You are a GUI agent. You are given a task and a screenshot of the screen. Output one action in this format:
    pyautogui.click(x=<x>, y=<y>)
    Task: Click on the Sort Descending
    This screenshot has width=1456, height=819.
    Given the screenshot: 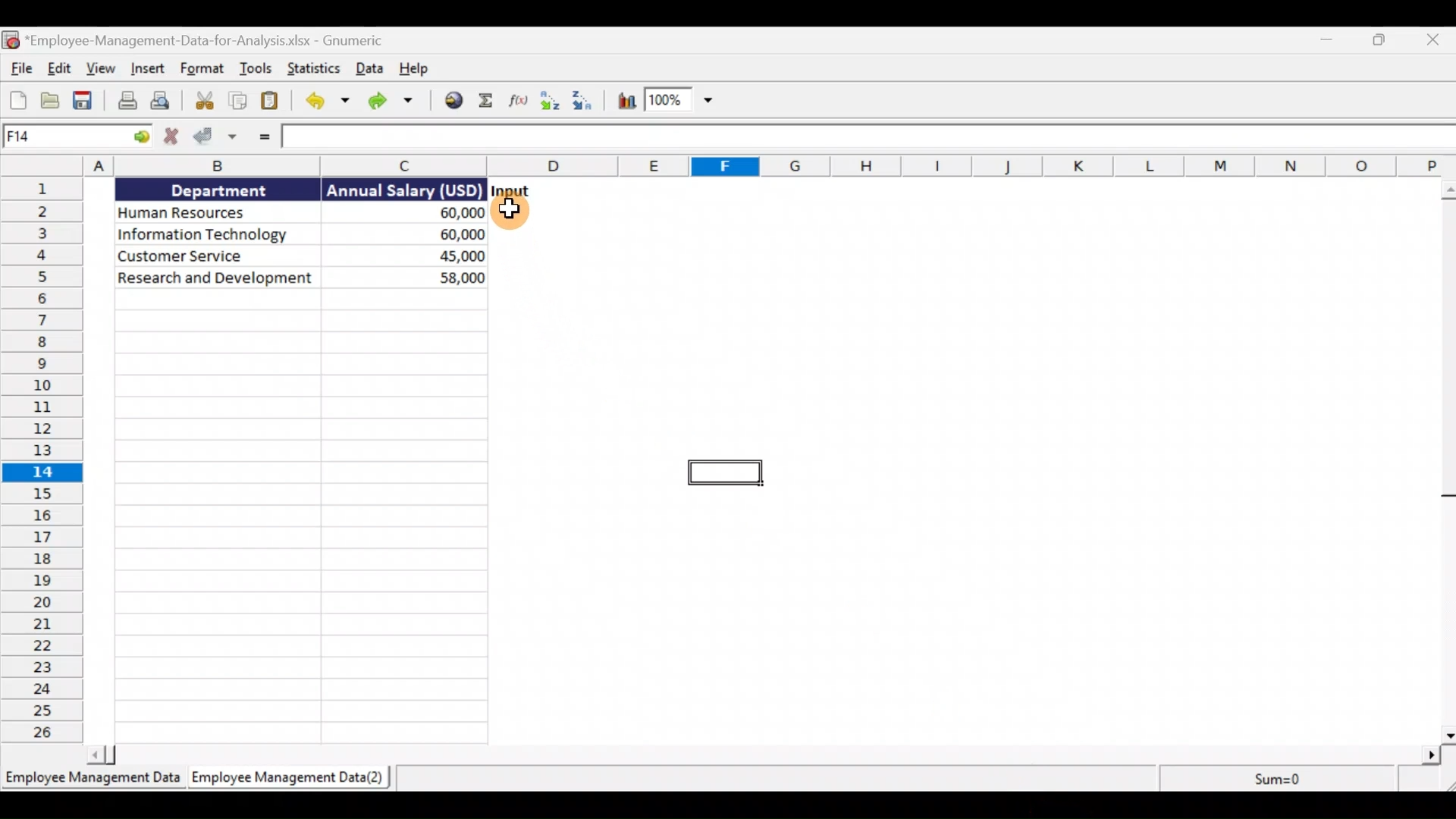 What is the action you would take?
    pyautogui.click(x=585, y=101)
    